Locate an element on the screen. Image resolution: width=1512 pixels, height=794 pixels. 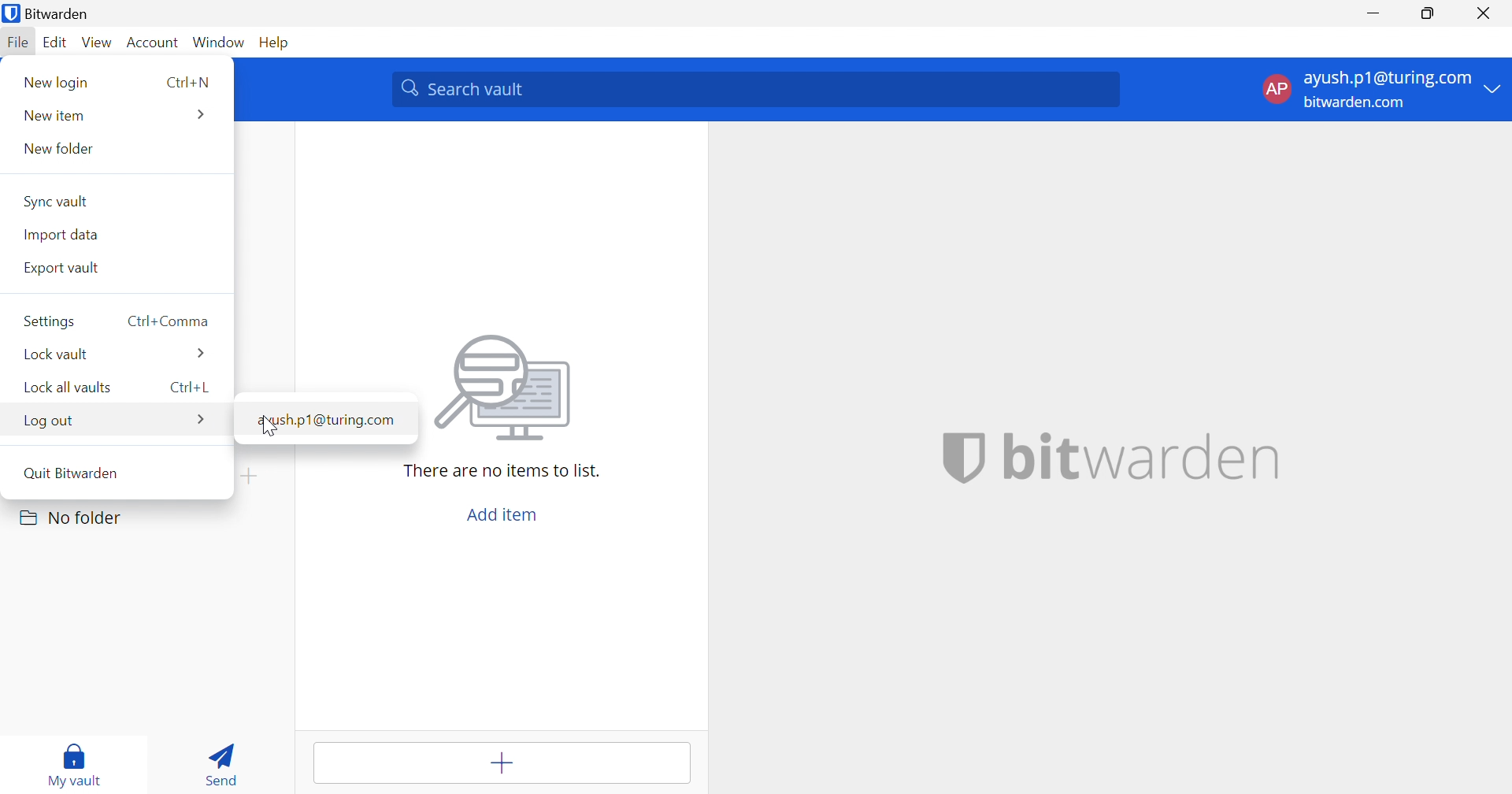
Bitwarden is located at coordinates (50, 14).